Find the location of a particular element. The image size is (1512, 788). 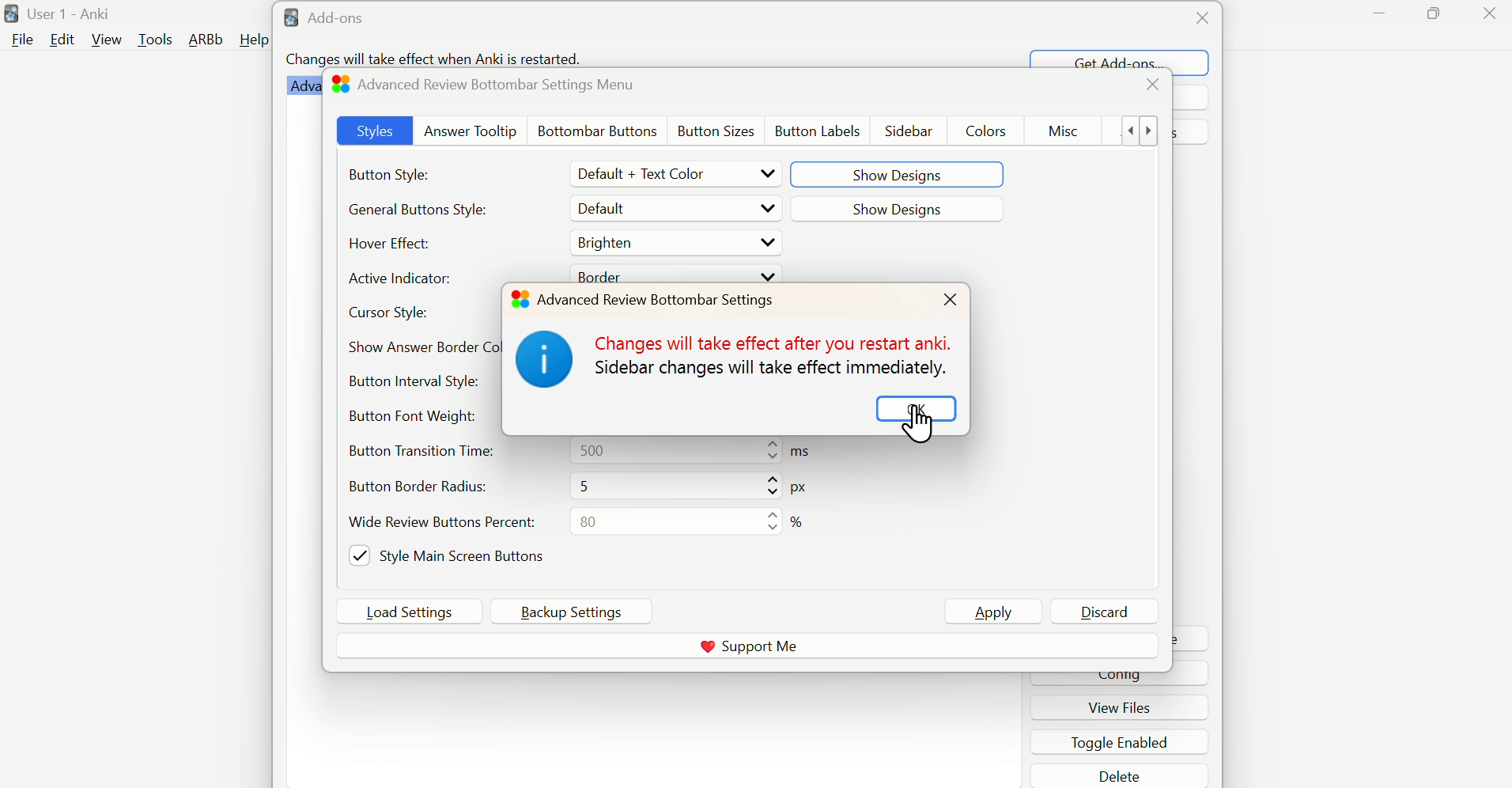

Active Indicator is located at coordinates (403, 278).